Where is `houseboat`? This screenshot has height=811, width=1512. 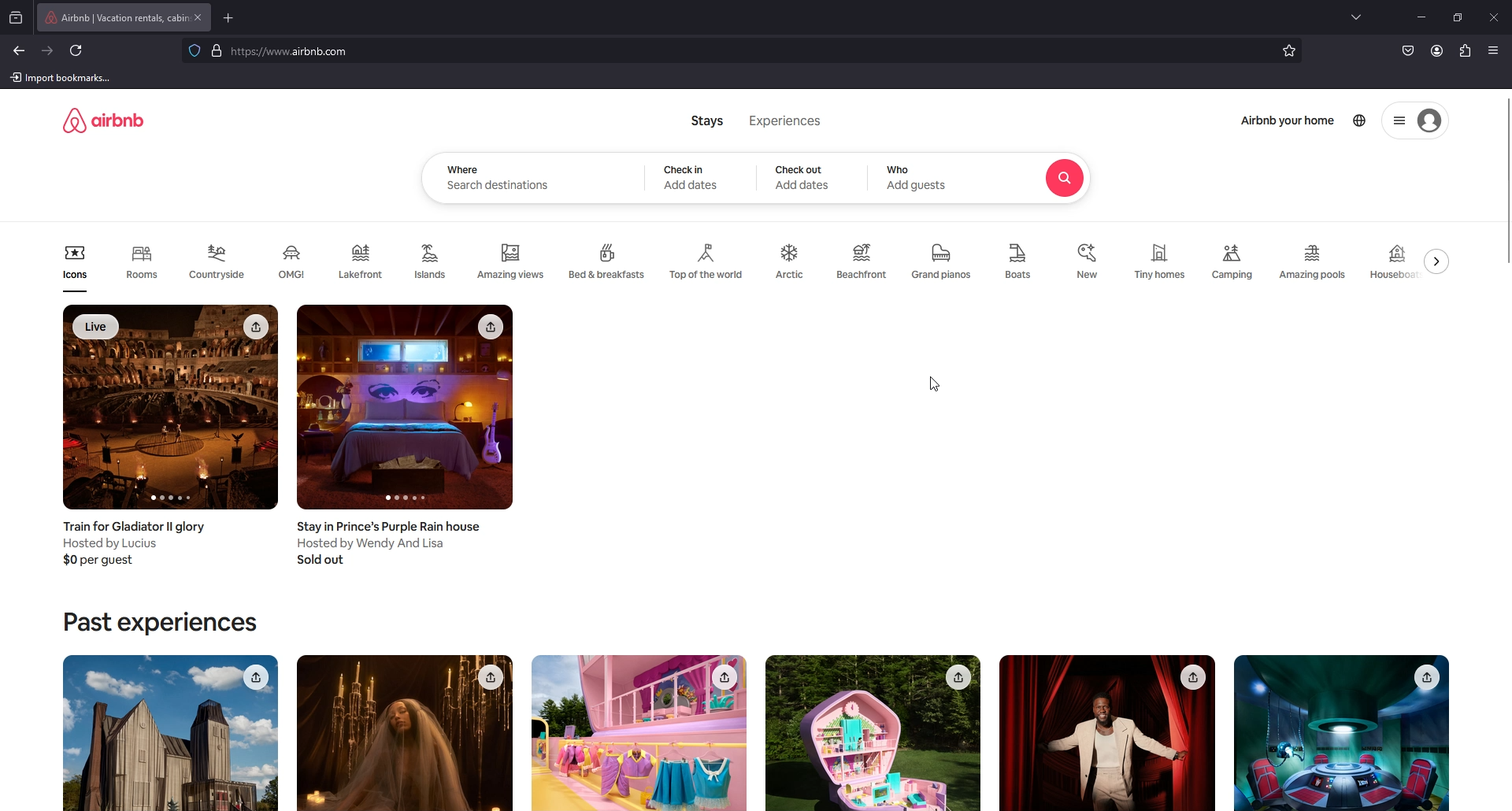
houseboat is located at coordinates (1395, 261).